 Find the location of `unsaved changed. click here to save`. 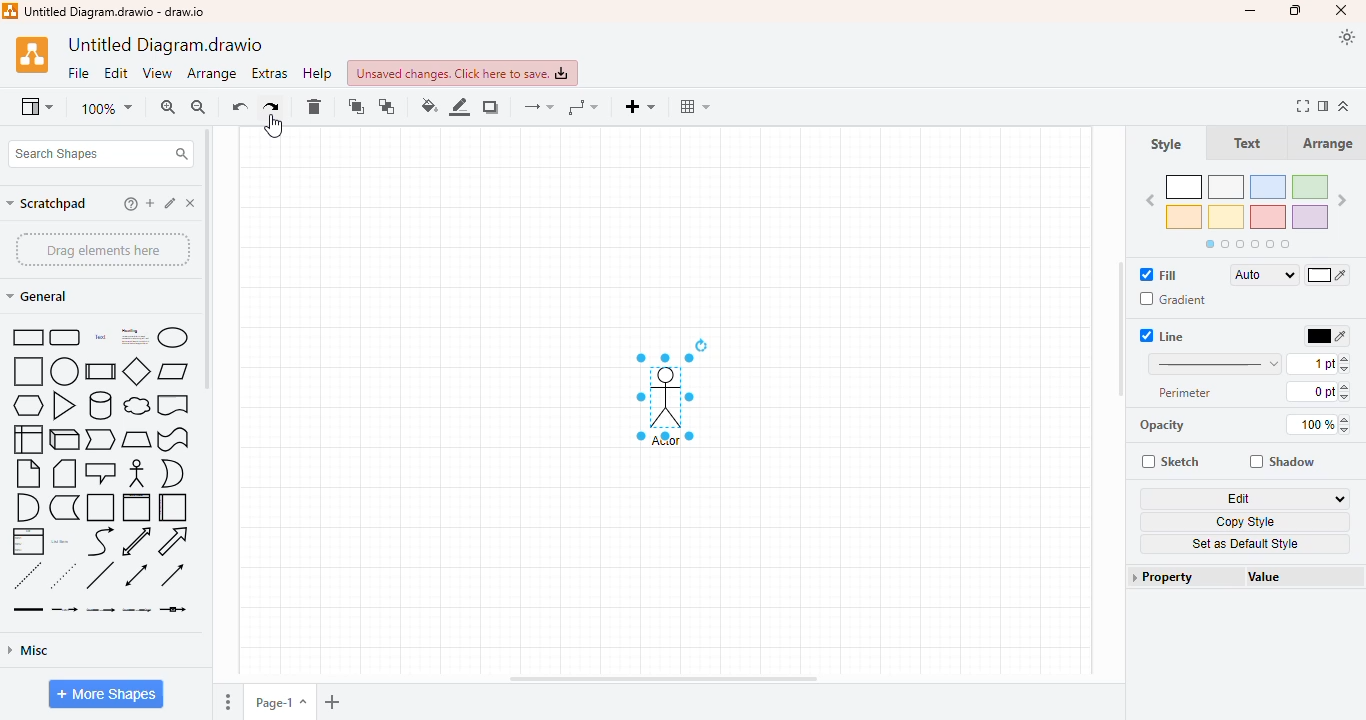

unsaved changed. click here to save is located at coordinates (462, 73).